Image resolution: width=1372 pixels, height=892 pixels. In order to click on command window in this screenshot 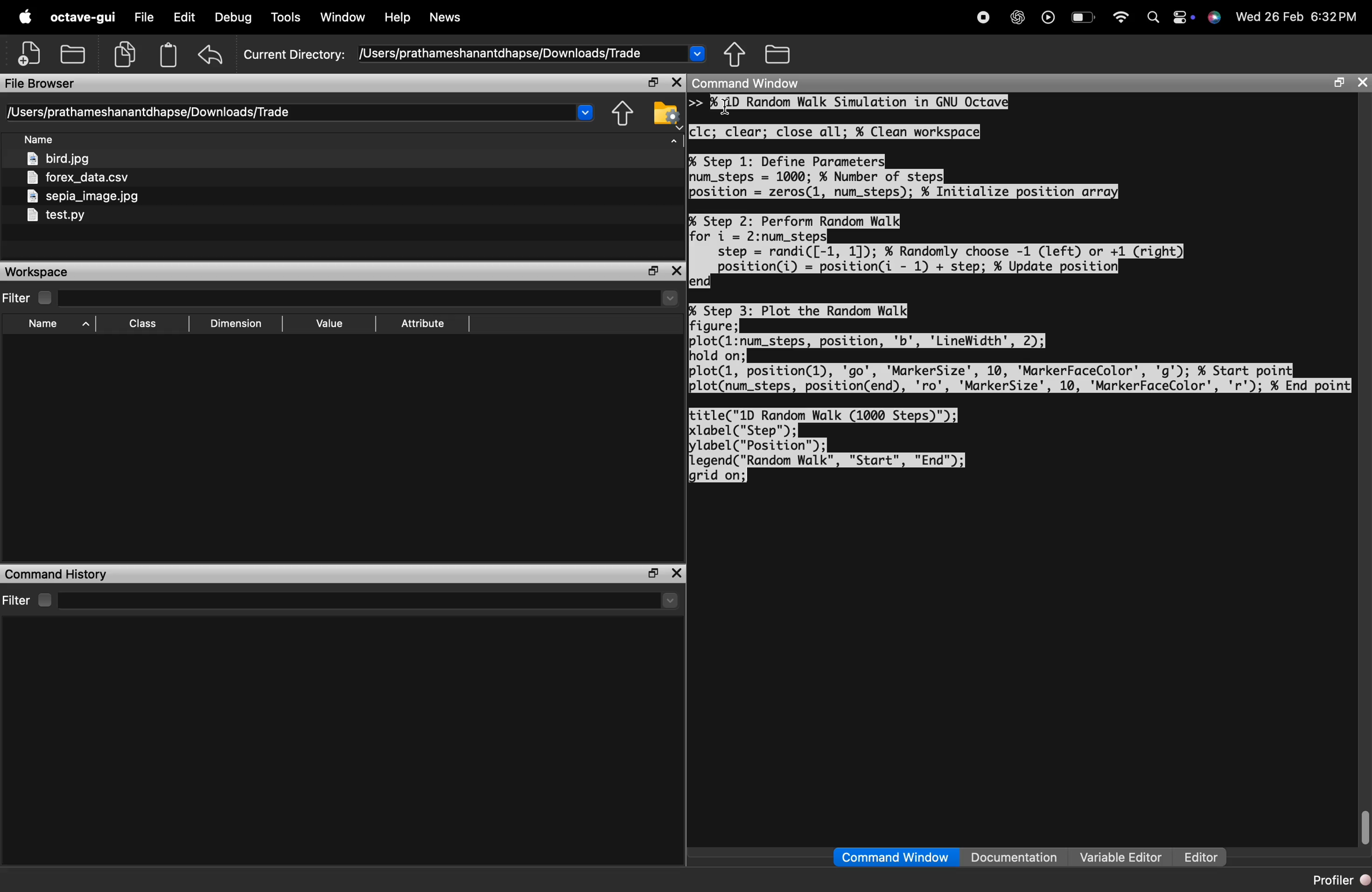, I will do `click(896, 857)`.